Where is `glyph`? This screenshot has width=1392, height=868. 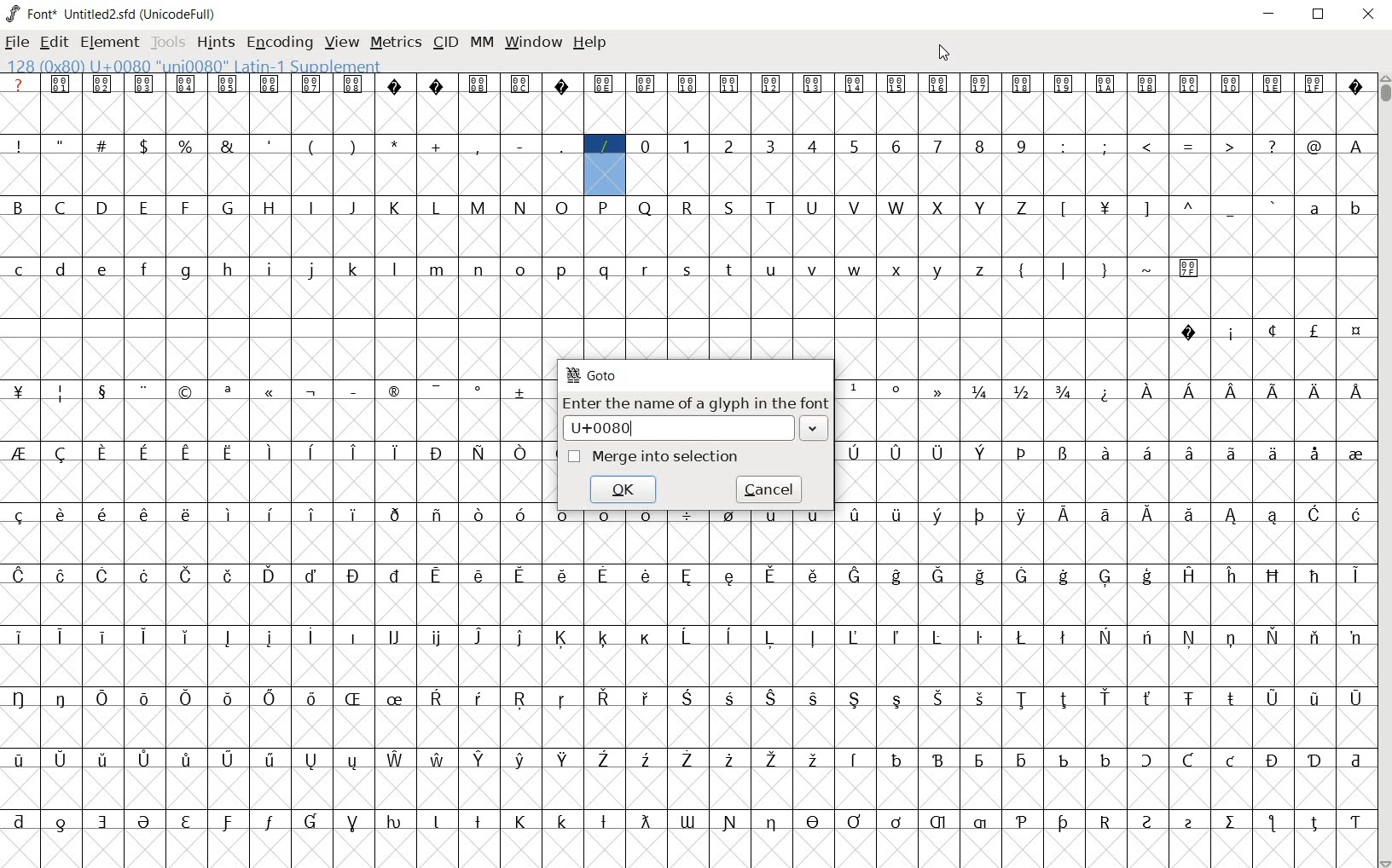 glyph is located at coordinates (1316, 454).